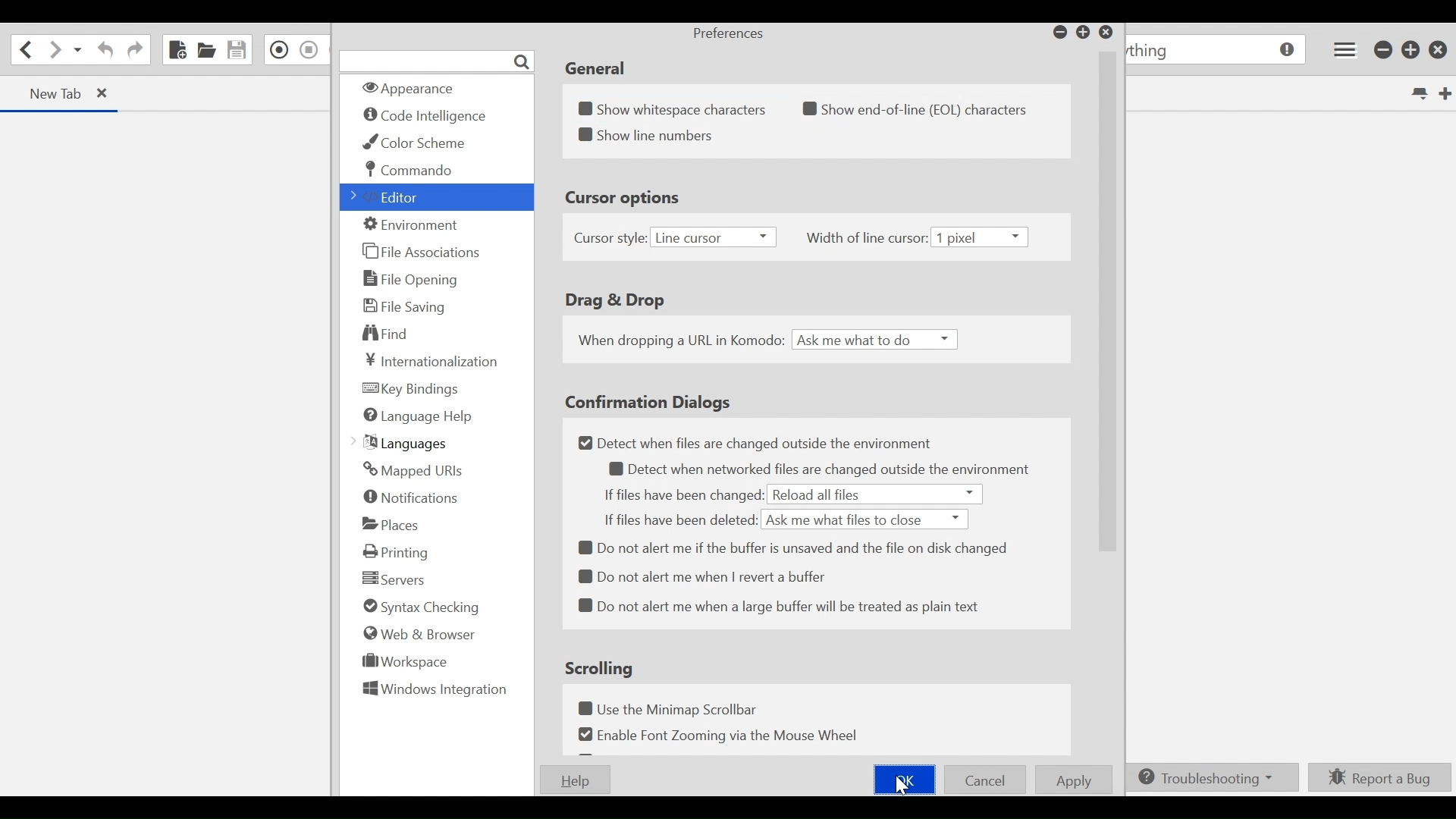 The width and height of the screenshot is (1456, 819). What do you see at coordinates (867, 240) in the screenshot?
I see `Width of line cursor` at bounding box center [867, 240].